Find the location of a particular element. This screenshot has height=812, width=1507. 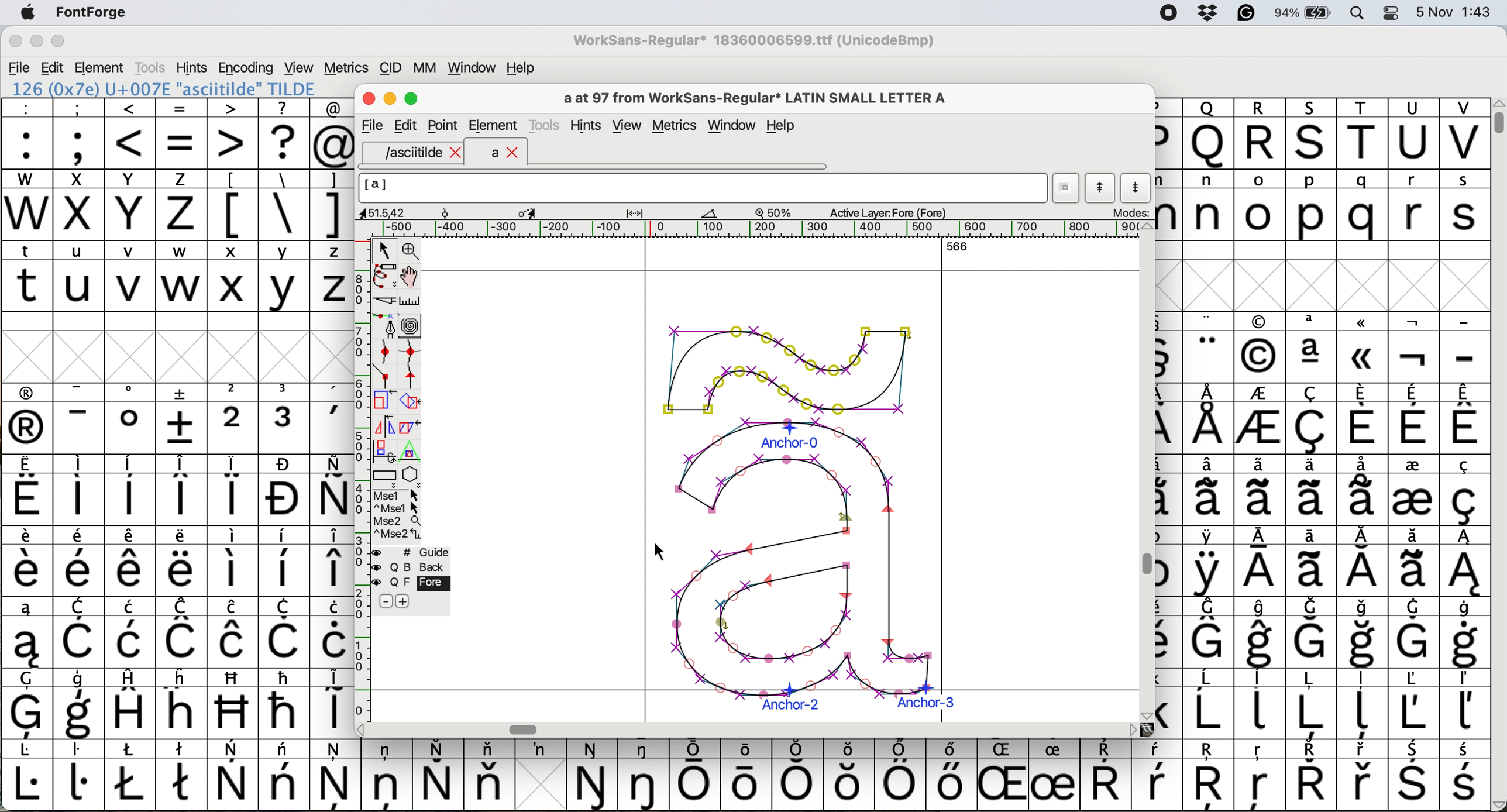

] is located at coordinates (331, 203).